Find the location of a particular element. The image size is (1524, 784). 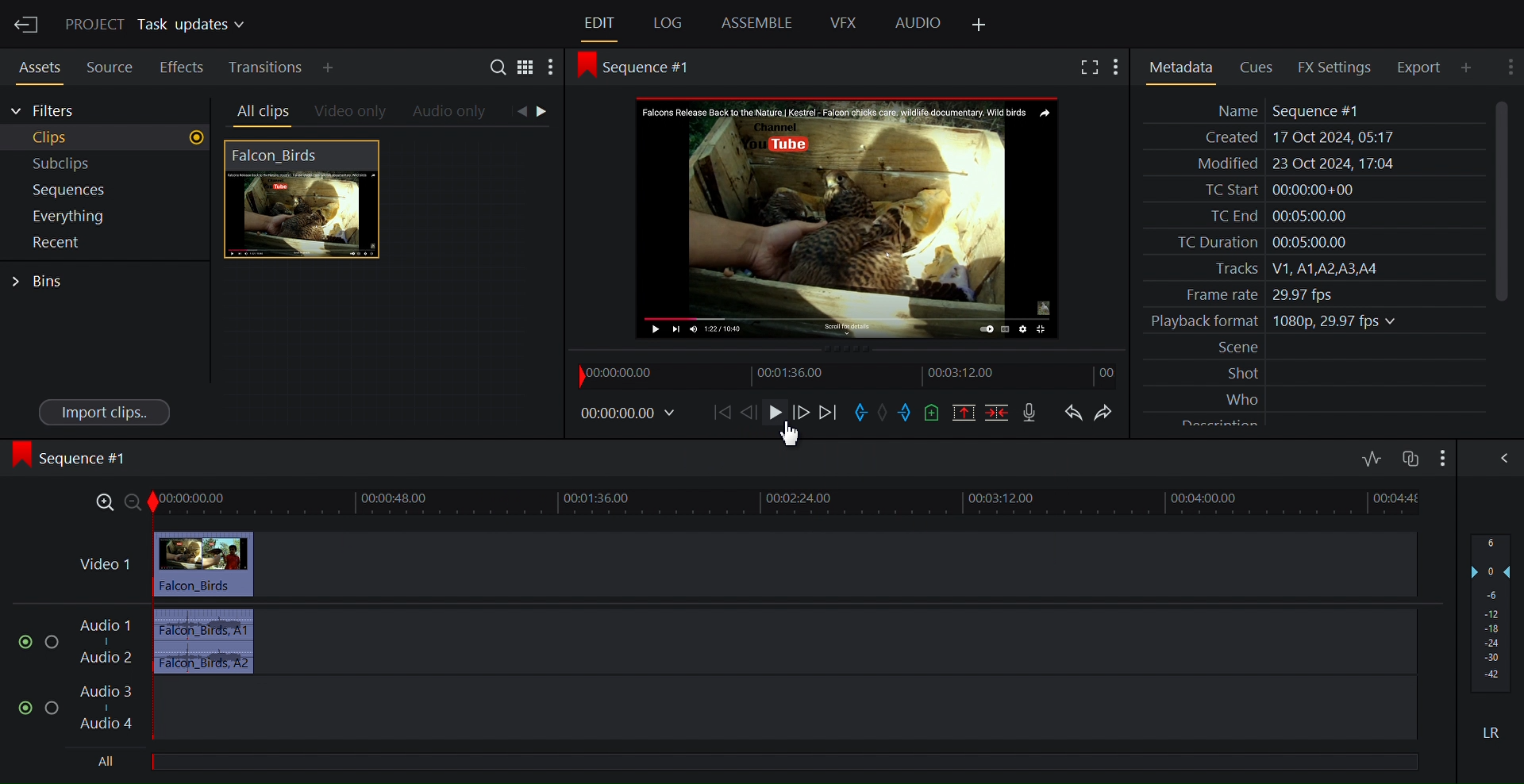

Transitition is located at coordinates (267, 67).